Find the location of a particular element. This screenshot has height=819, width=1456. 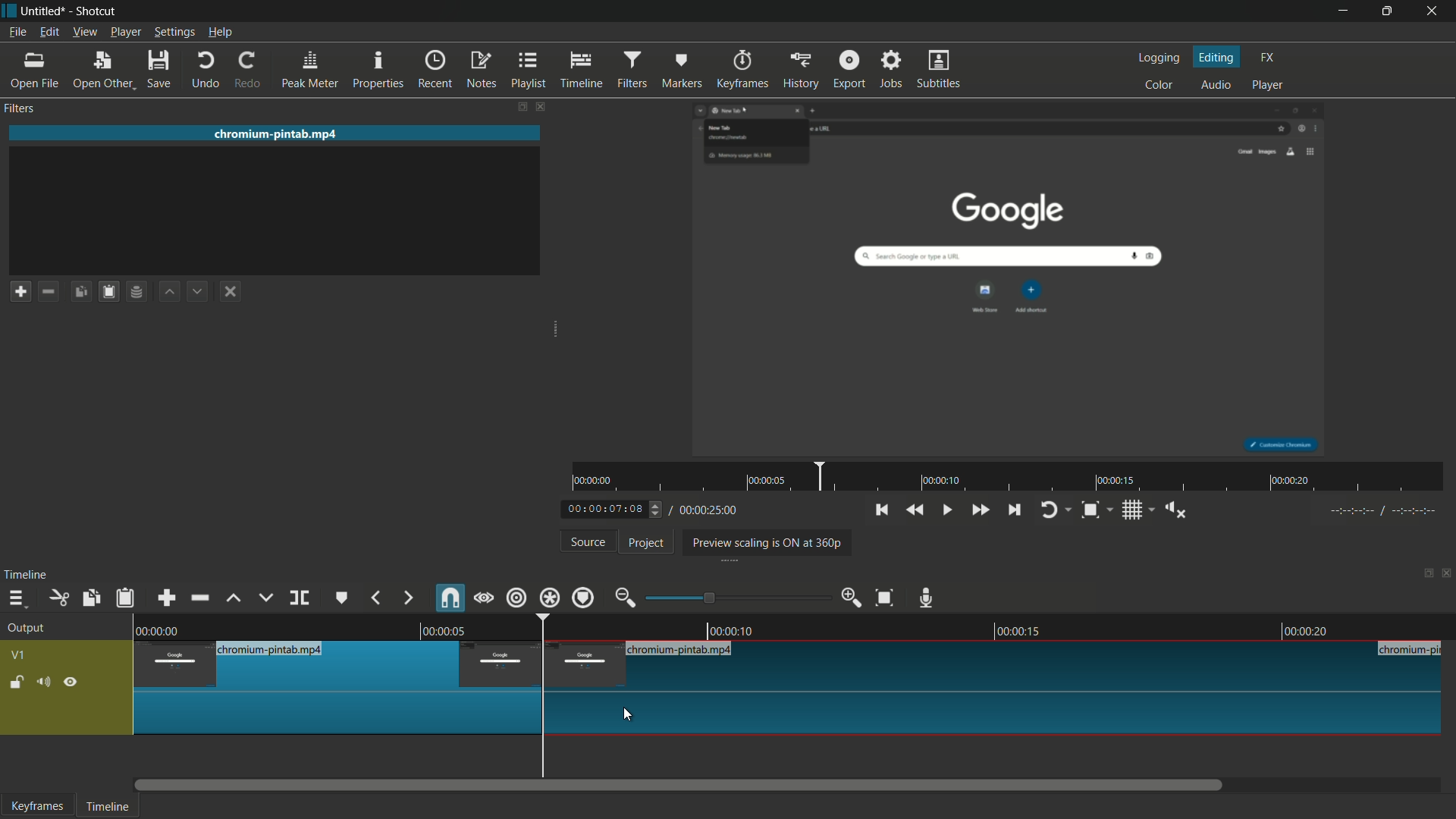

preview scaling is on at 360p is located at coordinates (764, 544).